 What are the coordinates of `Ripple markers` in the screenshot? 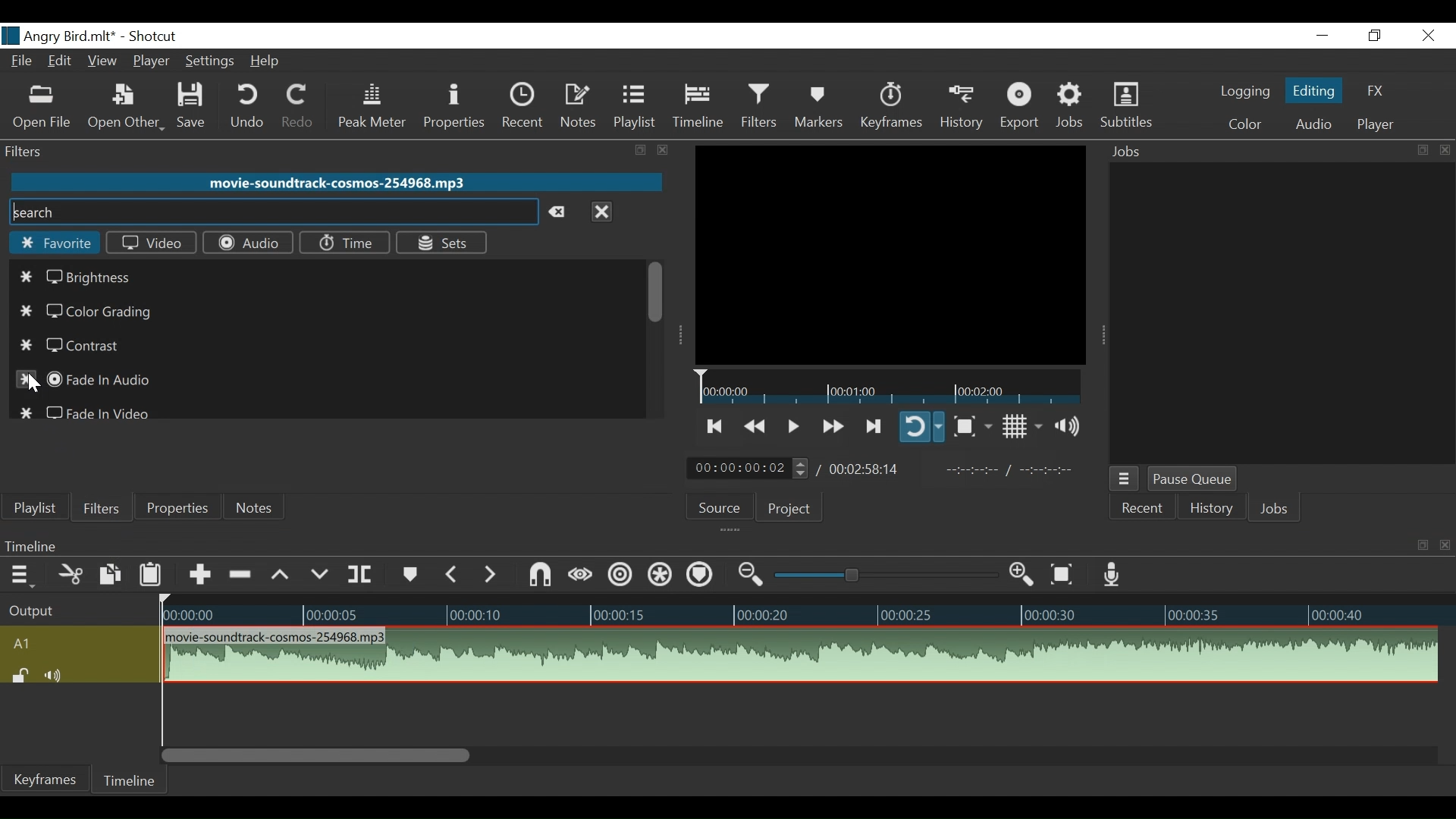 It's located at (701, 574).